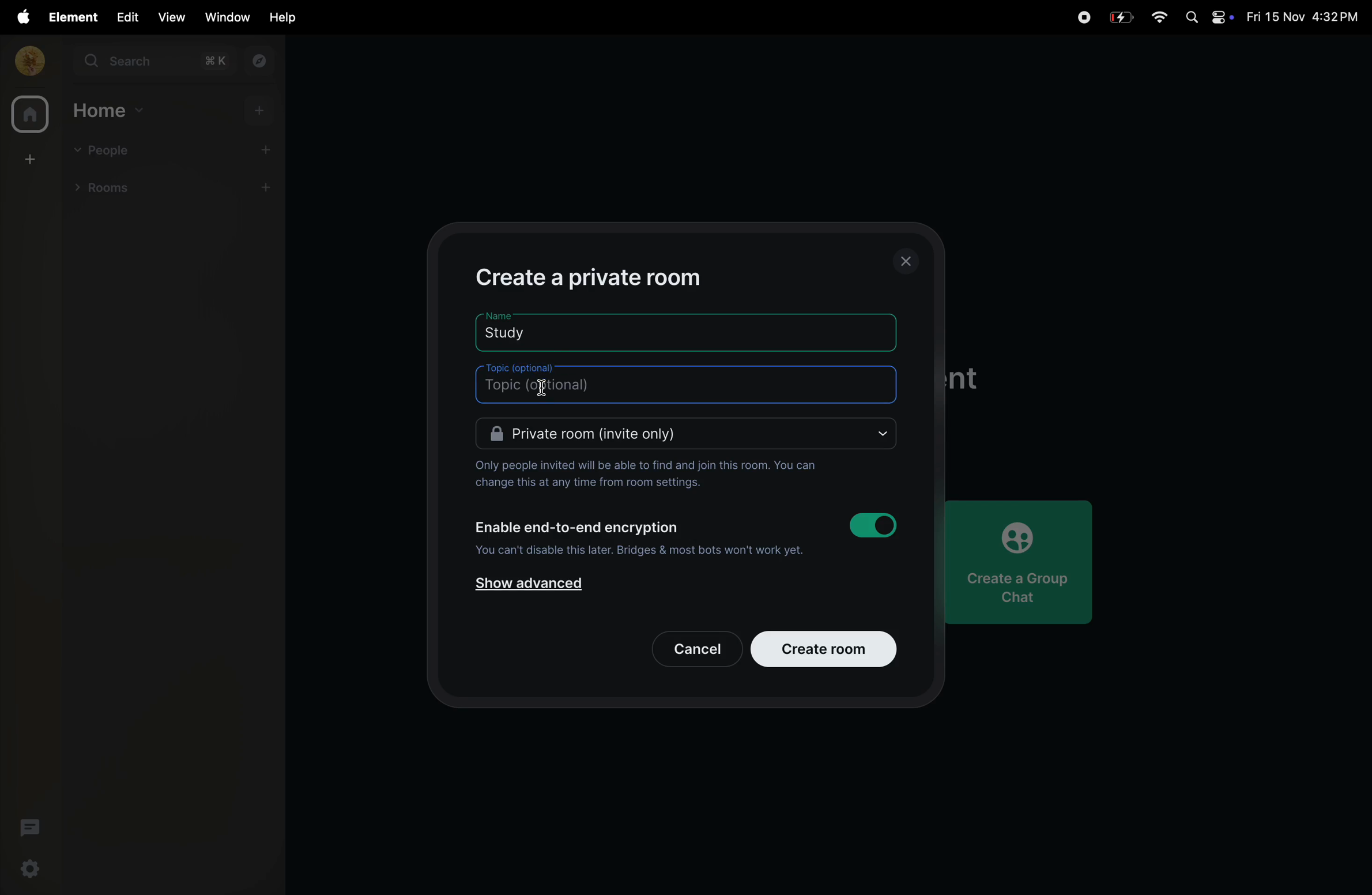 The width and height of the screenshot is (1372, 895). Describe the element at coordinates (609, 276) in the screenshot. I see `create private room` at that location.